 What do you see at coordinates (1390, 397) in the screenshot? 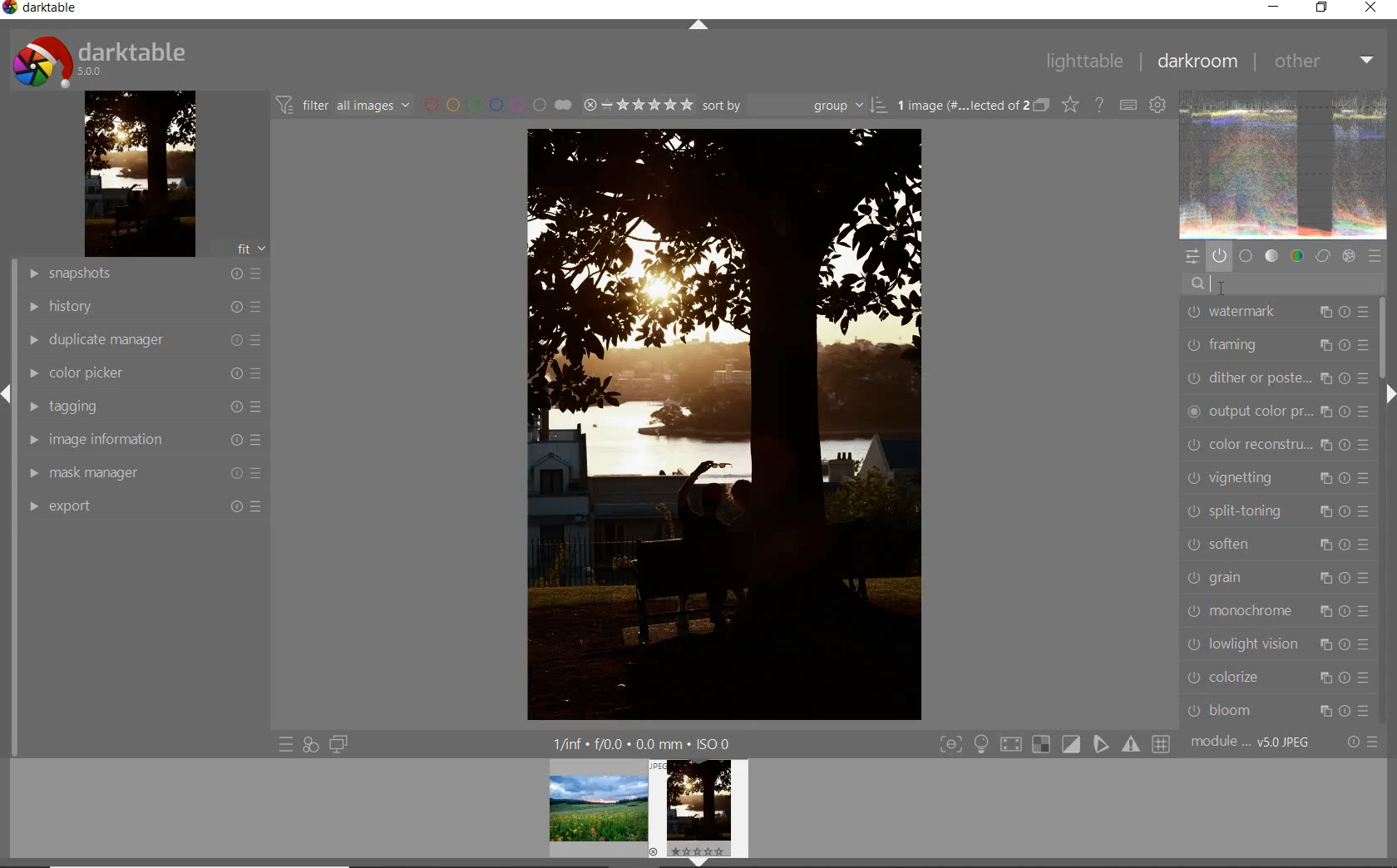
I see `expand/collapse` at bounding box center [1390, 397].